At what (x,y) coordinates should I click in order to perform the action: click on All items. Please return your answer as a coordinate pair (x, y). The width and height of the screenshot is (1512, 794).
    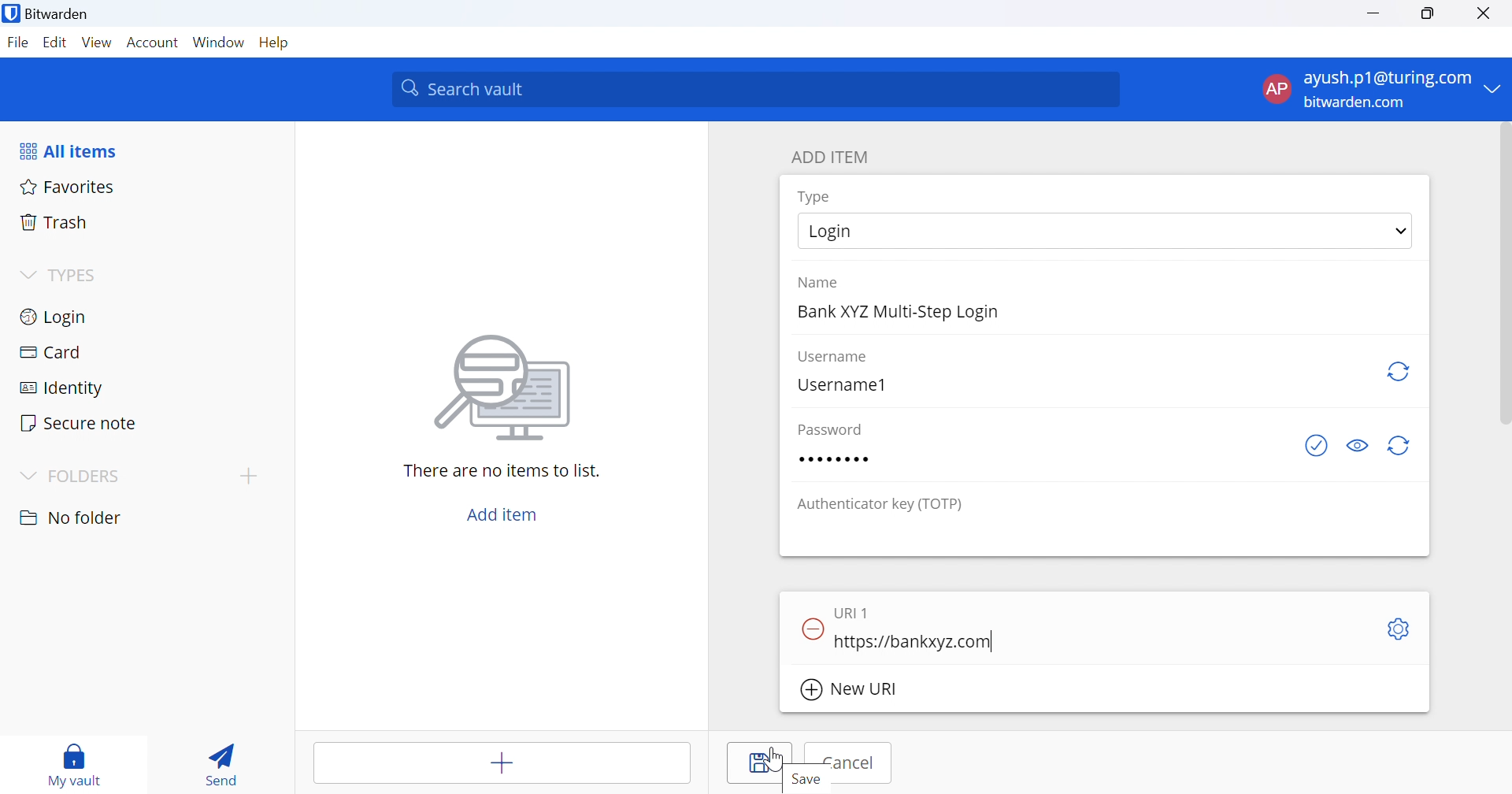
    Looking at the image, I should click on (72, 149).